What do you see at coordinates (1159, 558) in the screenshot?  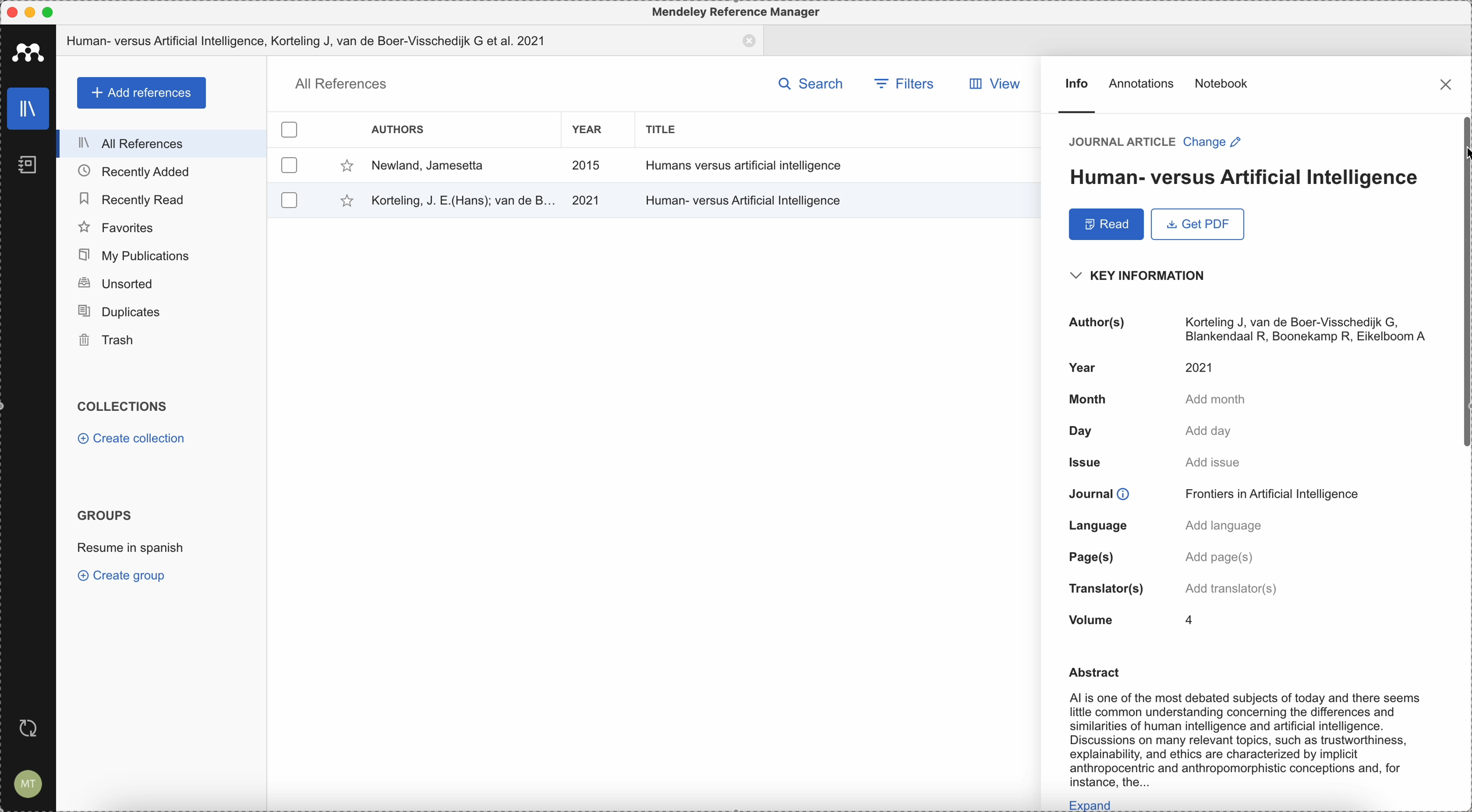 I see `page add page` at bounding box center [1159, 558].